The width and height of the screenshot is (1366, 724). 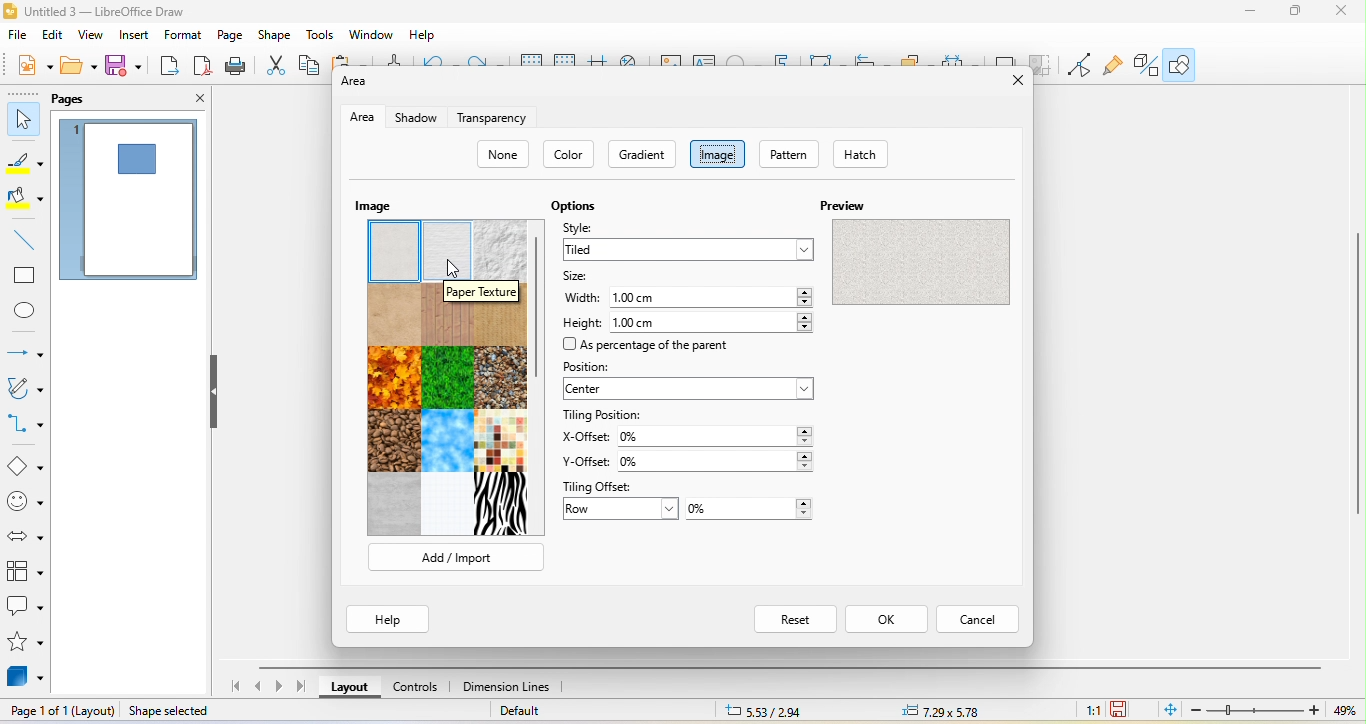 What do you see at coordinates (1272, 712) in the screenshot?
I see `zoom` at bounding box center [1272, 712].